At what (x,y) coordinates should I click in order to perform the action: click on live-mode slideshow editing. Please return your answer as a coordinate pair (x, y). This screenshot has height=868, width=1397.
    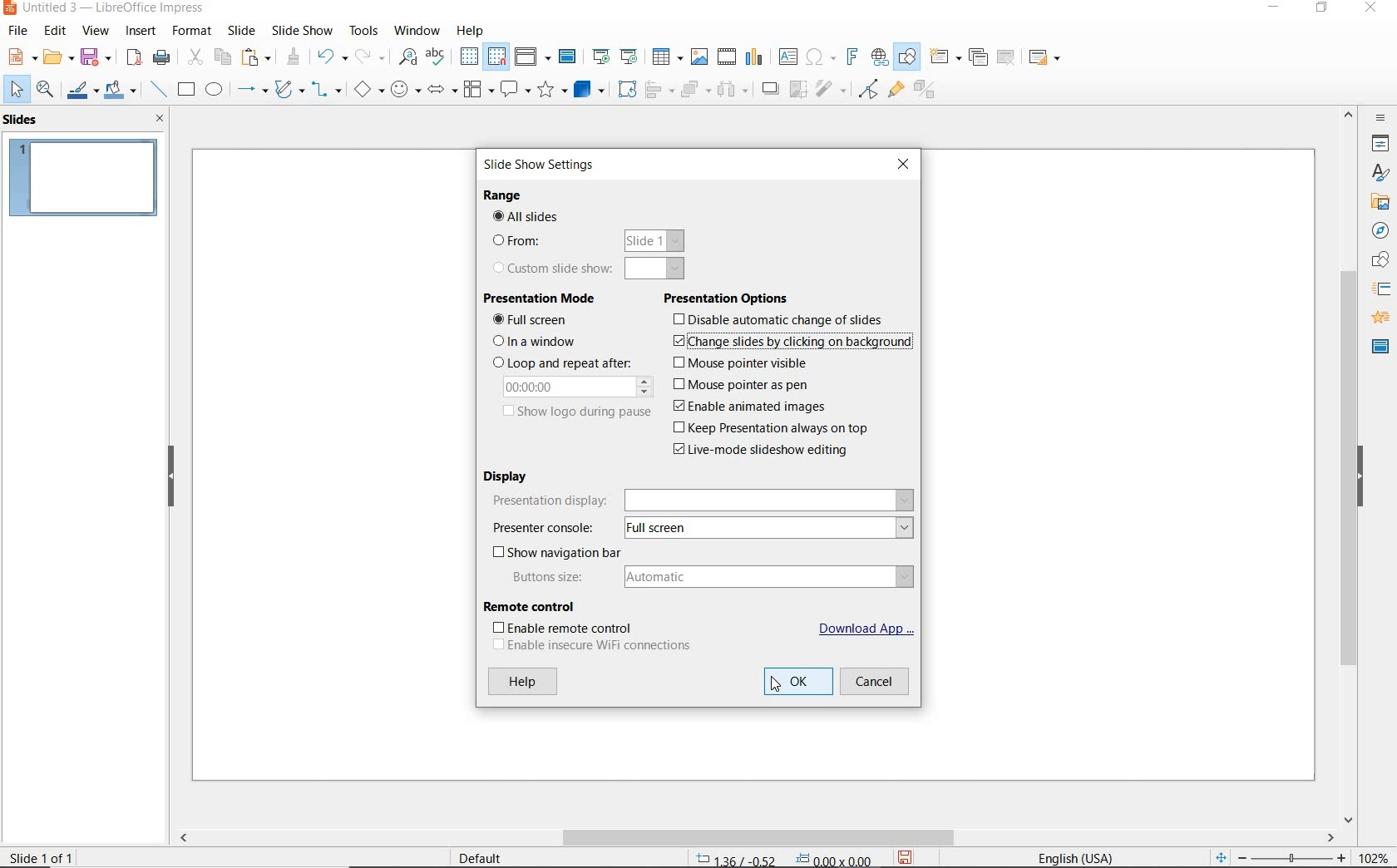
    Looking at the image, I should click on (760, 450).